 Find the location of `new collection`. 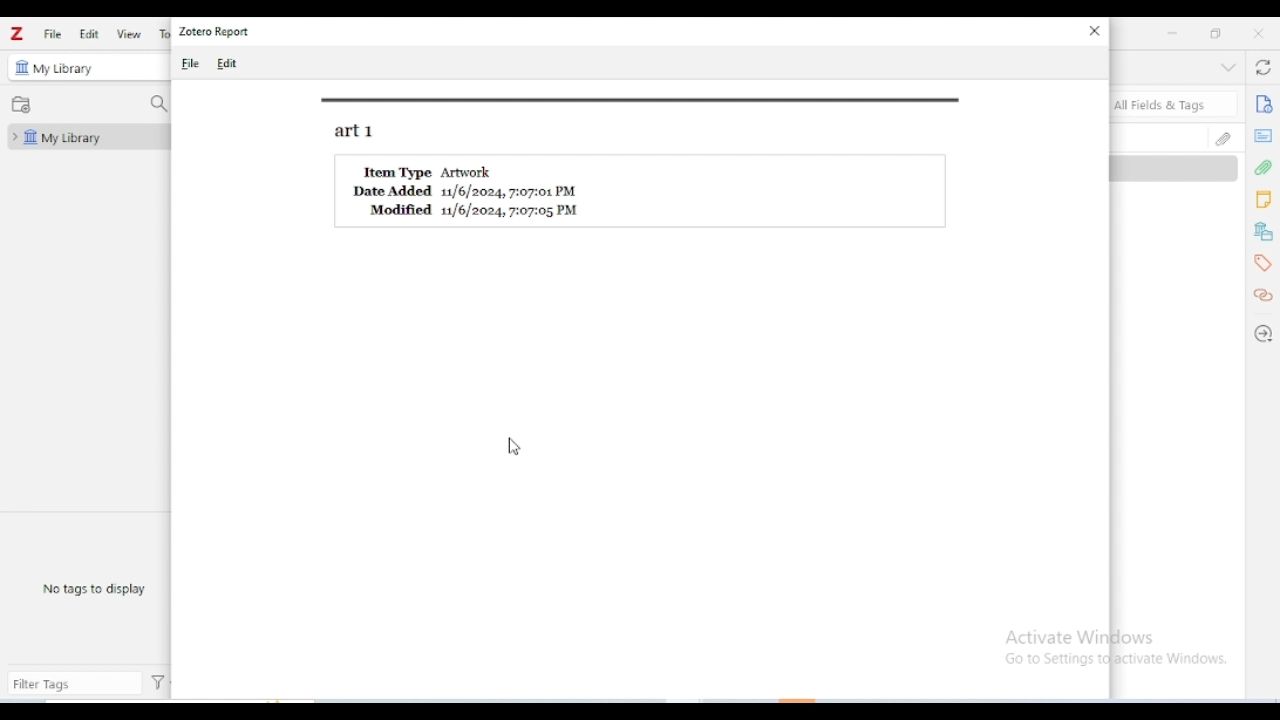

new collection is located at coordinates (21, 104).